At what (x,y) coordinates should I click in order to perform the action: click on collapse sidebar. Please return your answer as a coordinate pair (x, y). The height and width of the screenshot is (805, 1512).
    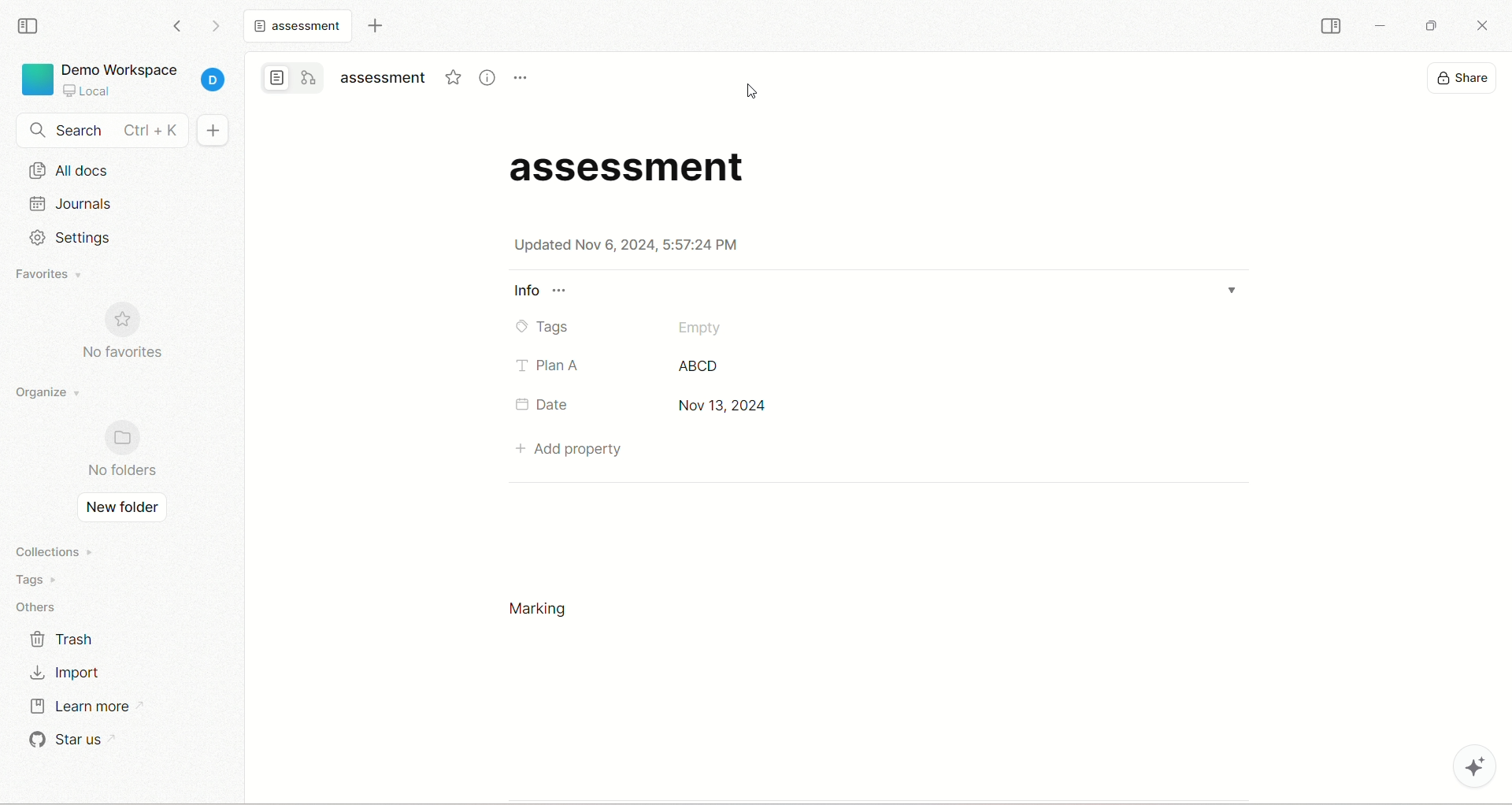
    Looking at the image, I should click on (31, 27).